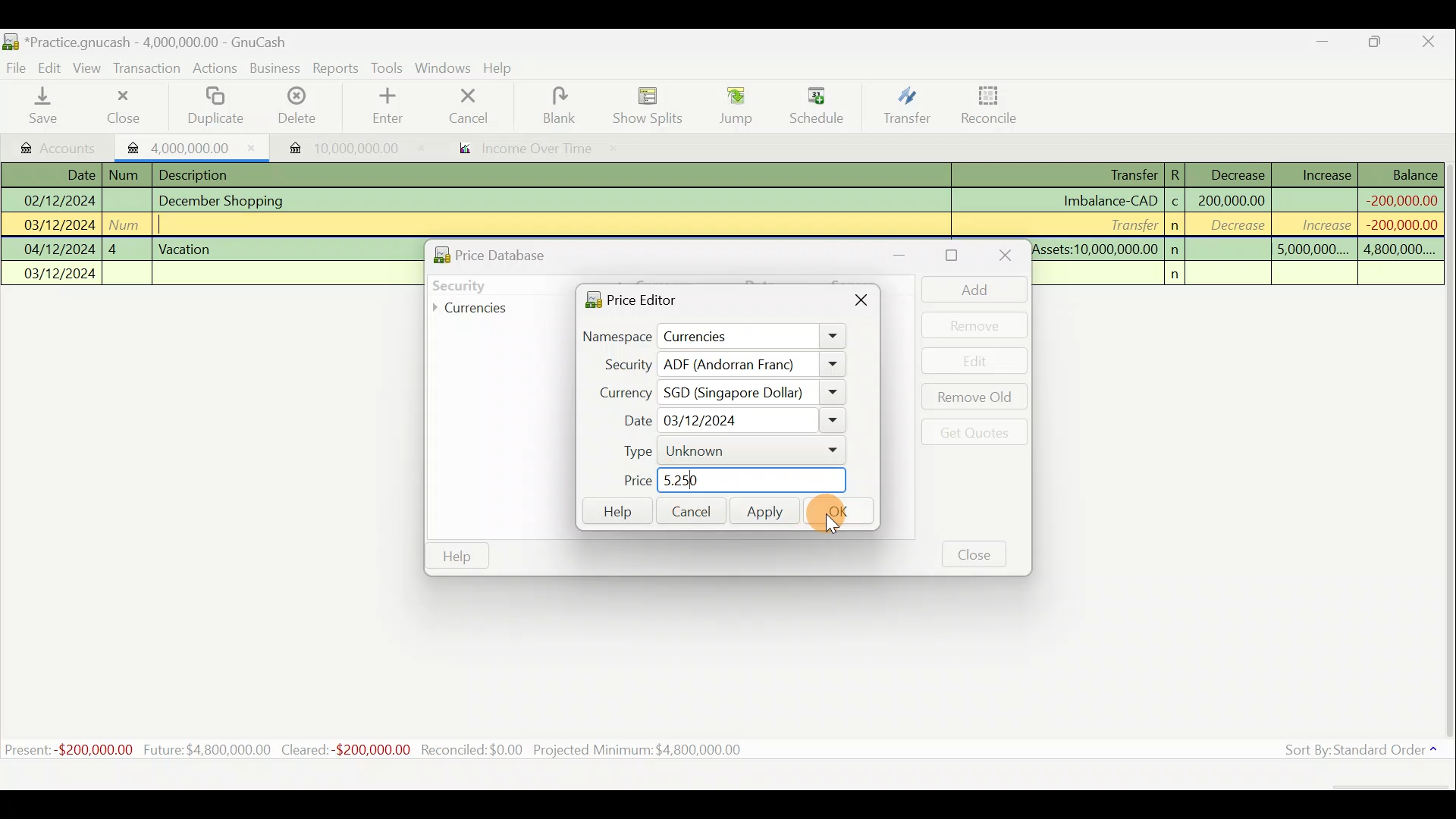 The width and height of the screenshot is (1456, 819). I want to click on Jump, so click(730, 106).